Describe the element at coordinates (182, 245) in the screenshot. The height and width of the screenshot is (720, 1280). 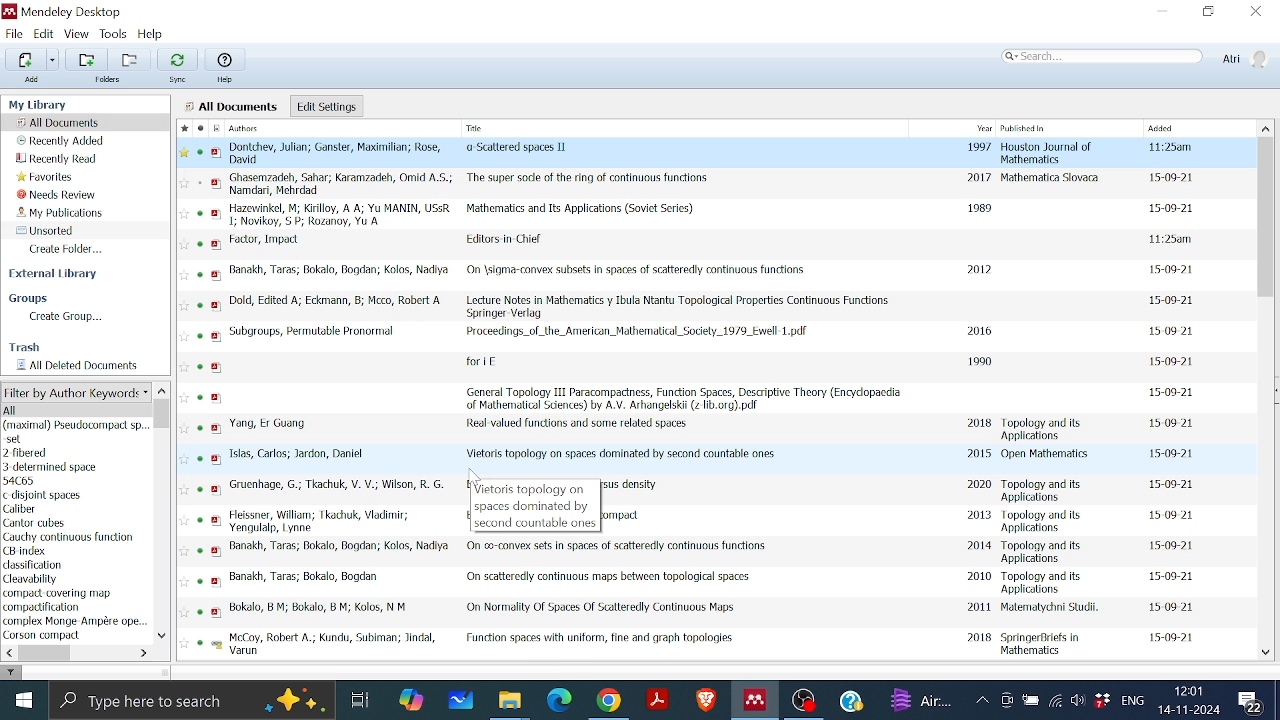
I see `favourite` at that location.